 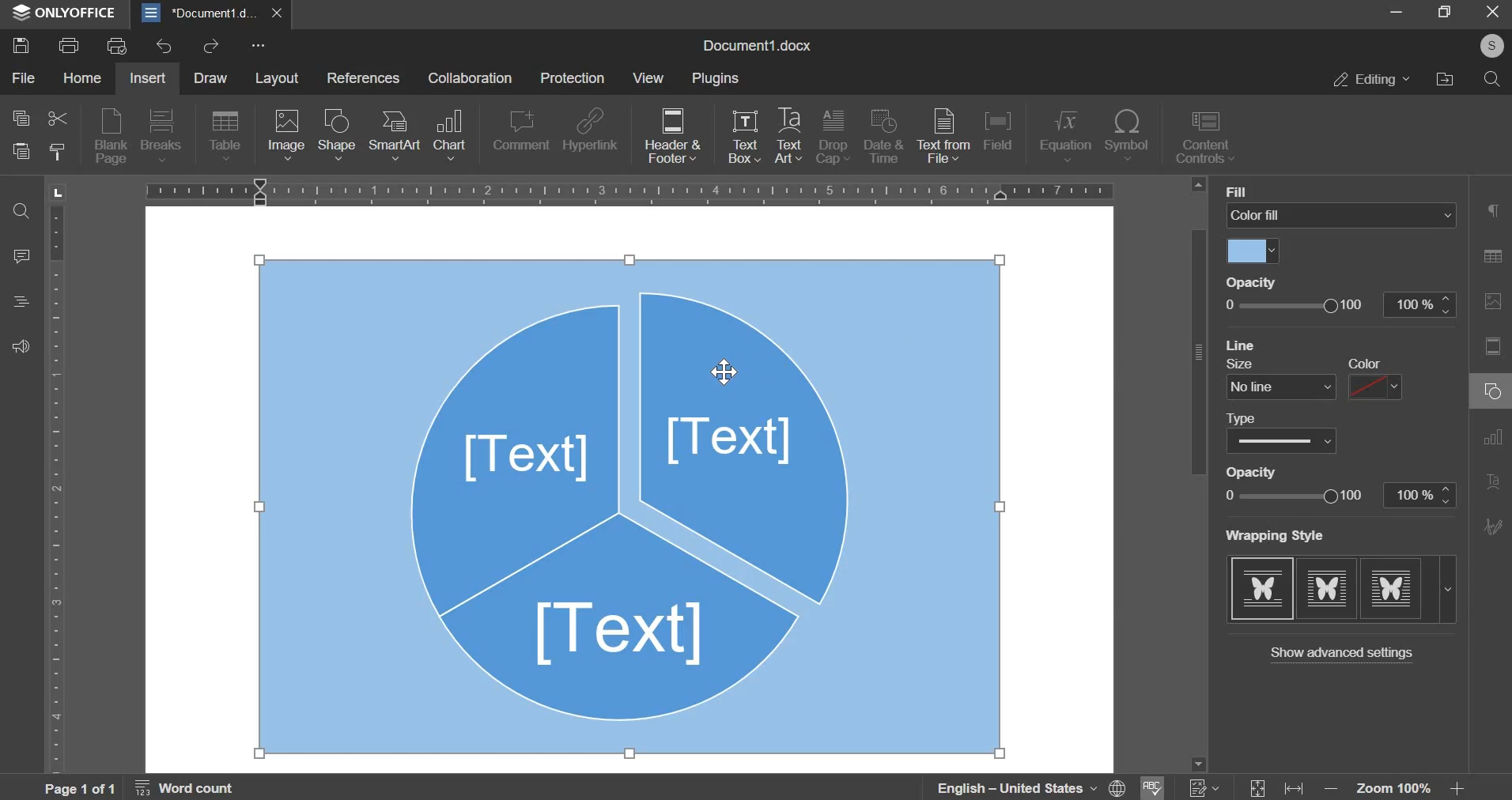 What do you see at coordinates (997, 130) in the screenshot?
I see `field` at bounding box center [997, 130].